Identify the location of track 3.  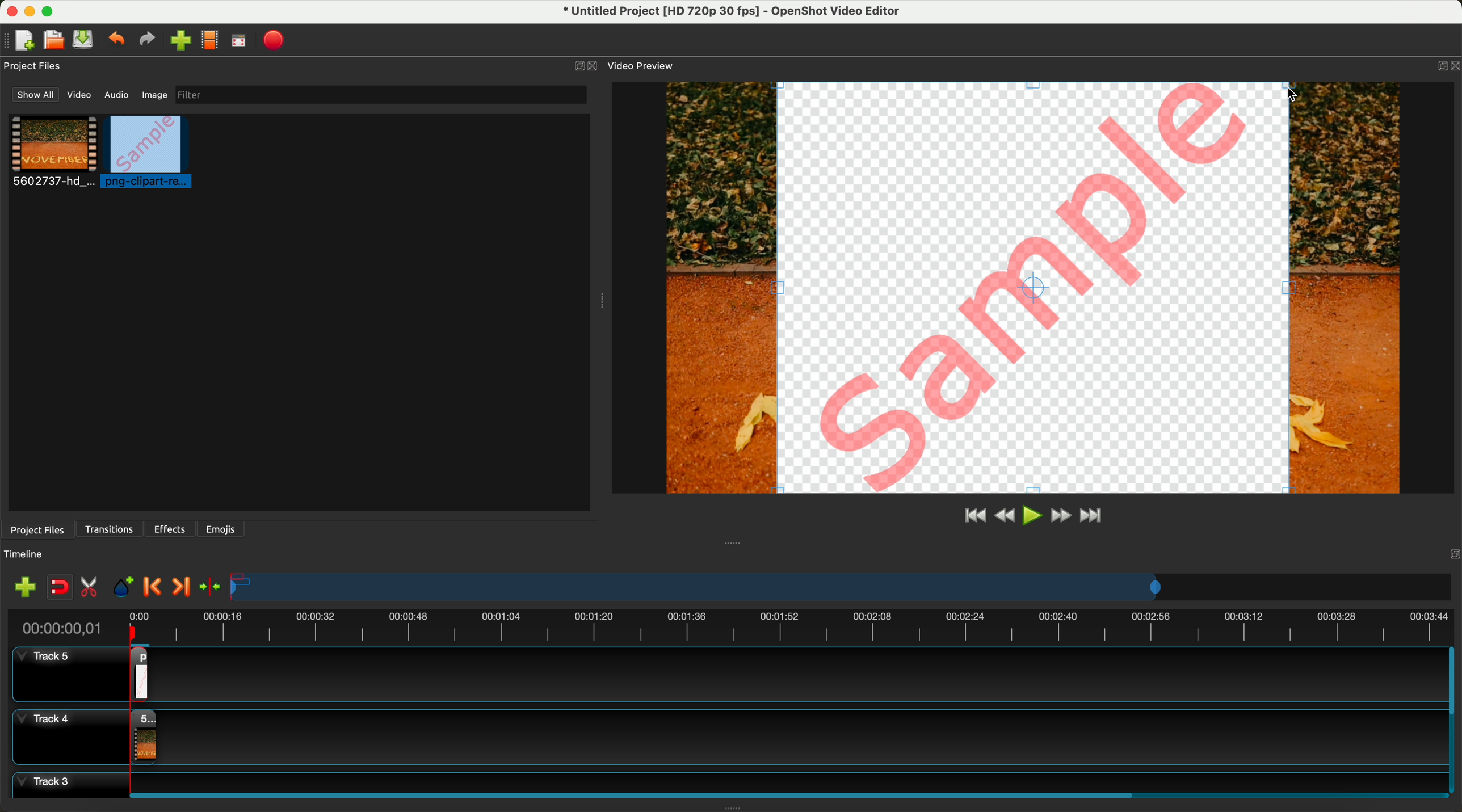
(724, 780).